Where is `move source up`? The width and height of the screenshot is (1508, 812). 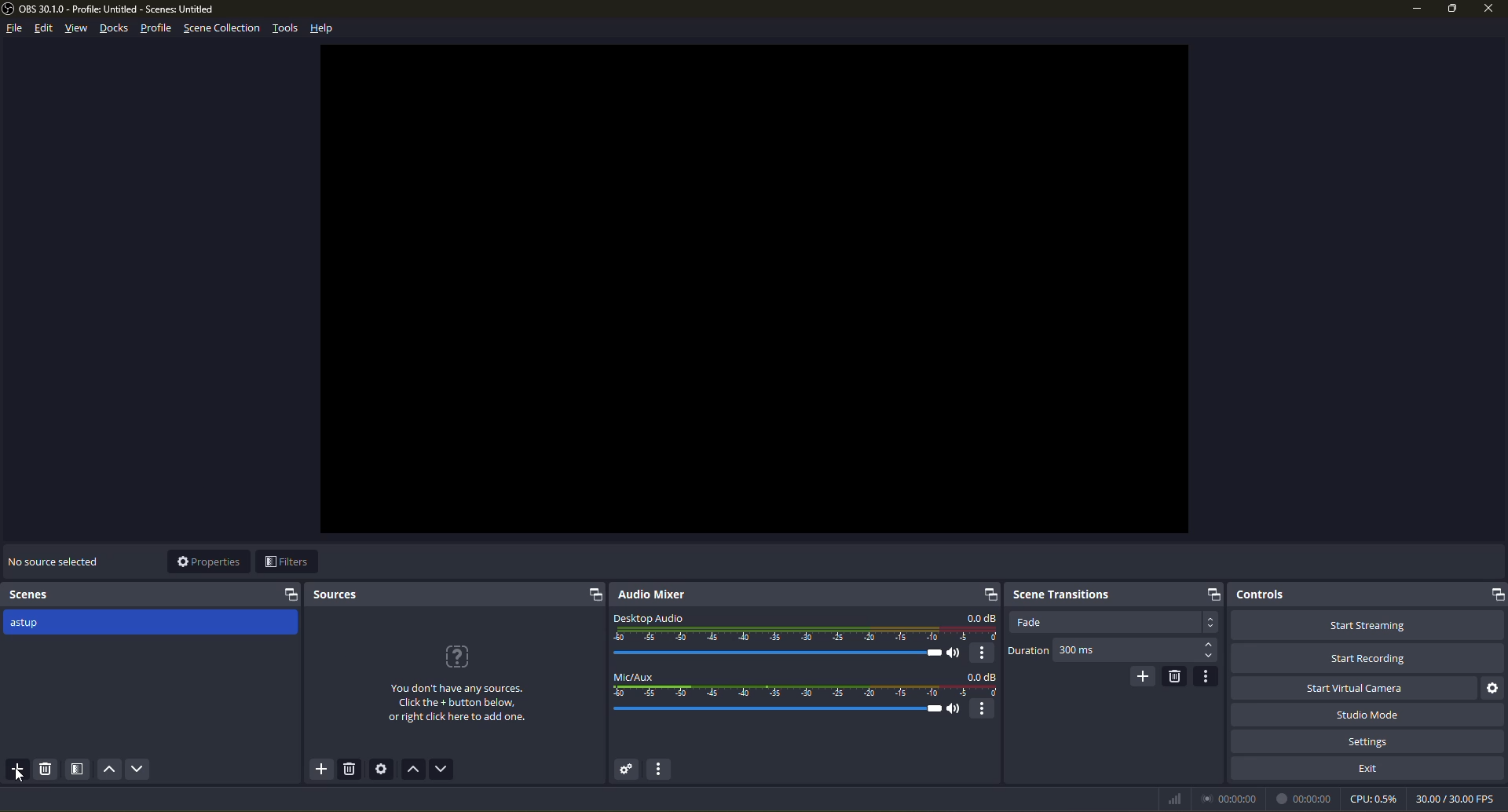
move source up is located at coordinates (413, 769).